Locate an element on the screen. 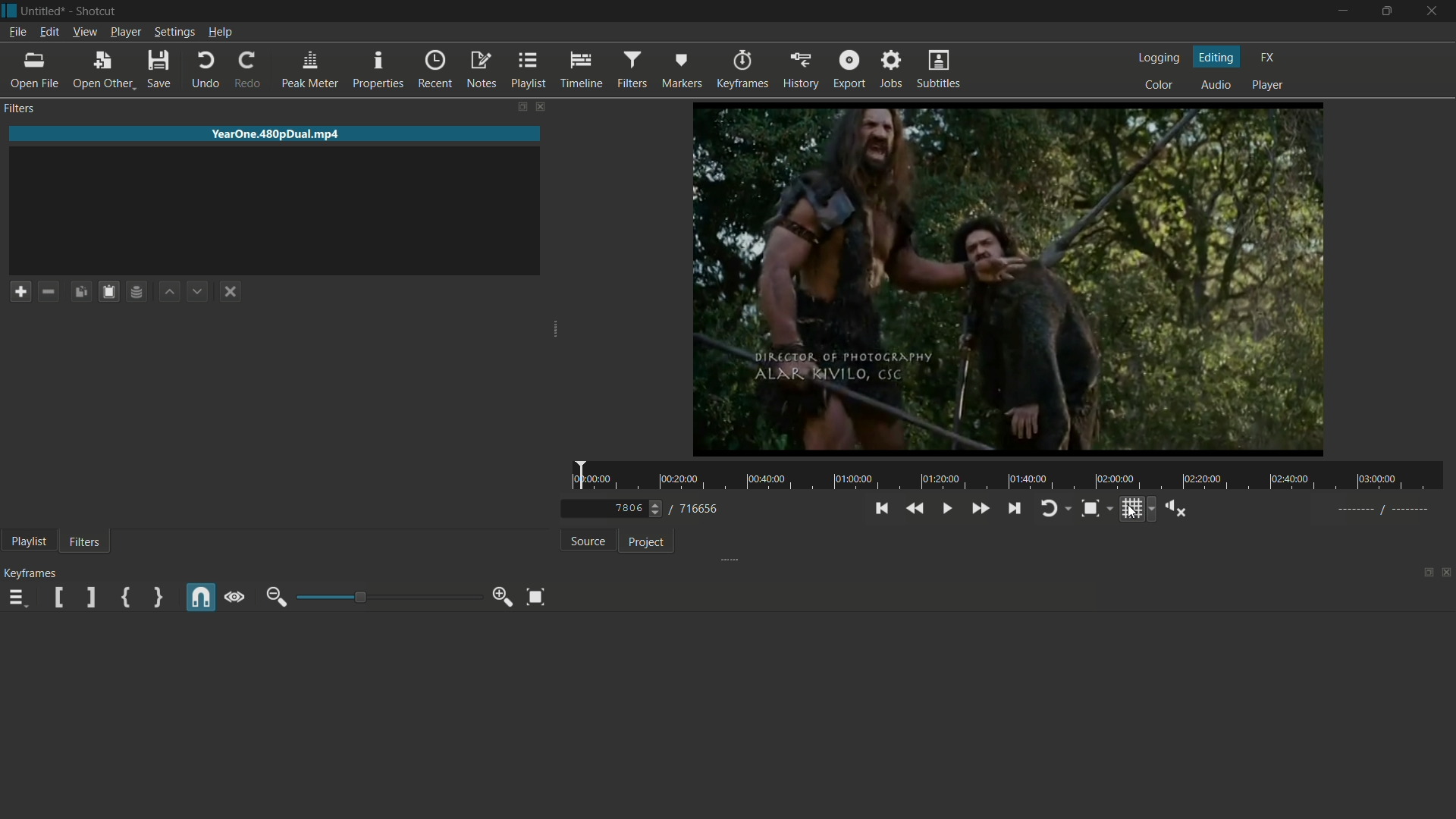 The height and width of the screenshot is (819, 1456). peak meter is located at coordinates (311, 70).